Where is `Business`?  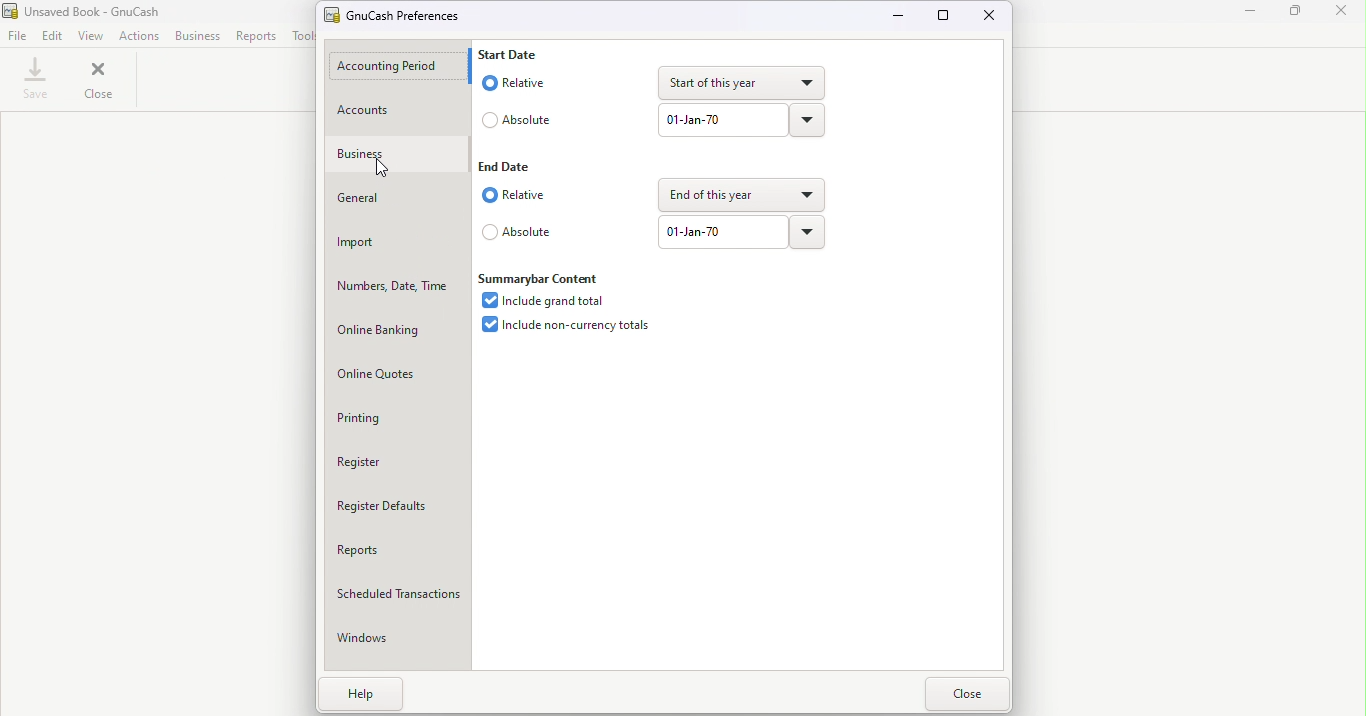 Business is located at coordinates (198, 35).